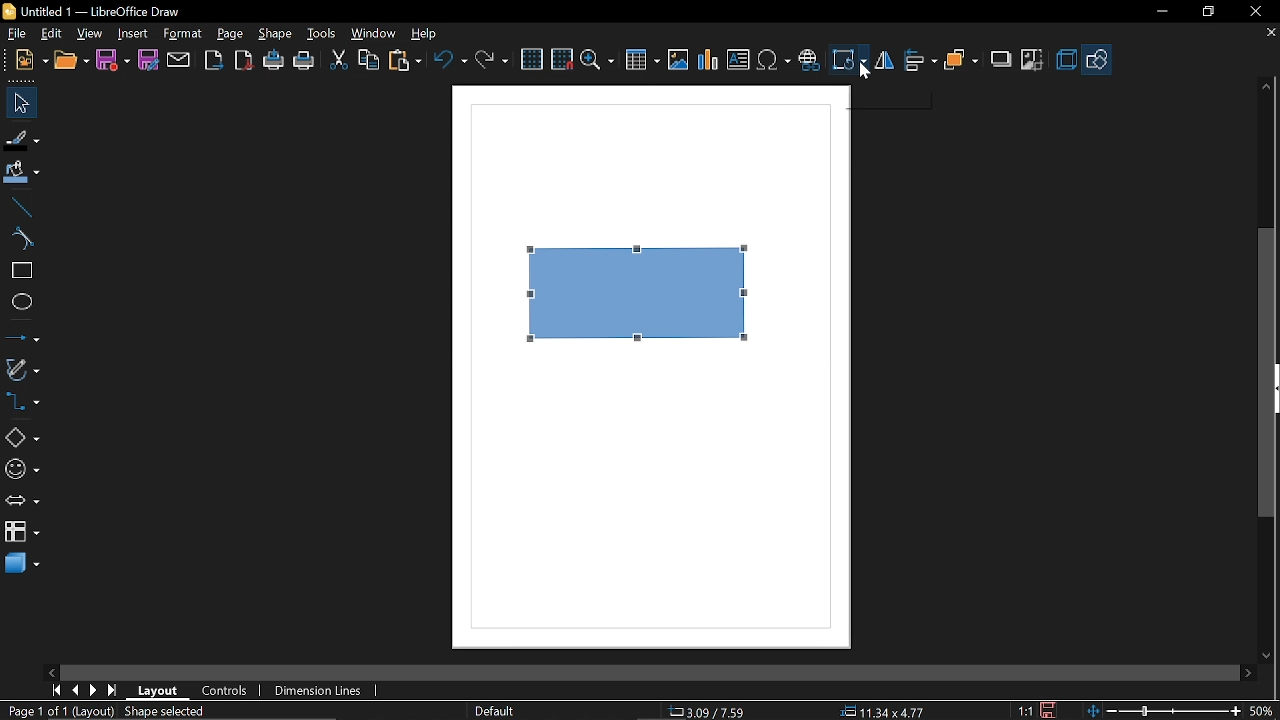 The image size is (1280, 720). I want to click on Symbol shapes, so click(21, 470).